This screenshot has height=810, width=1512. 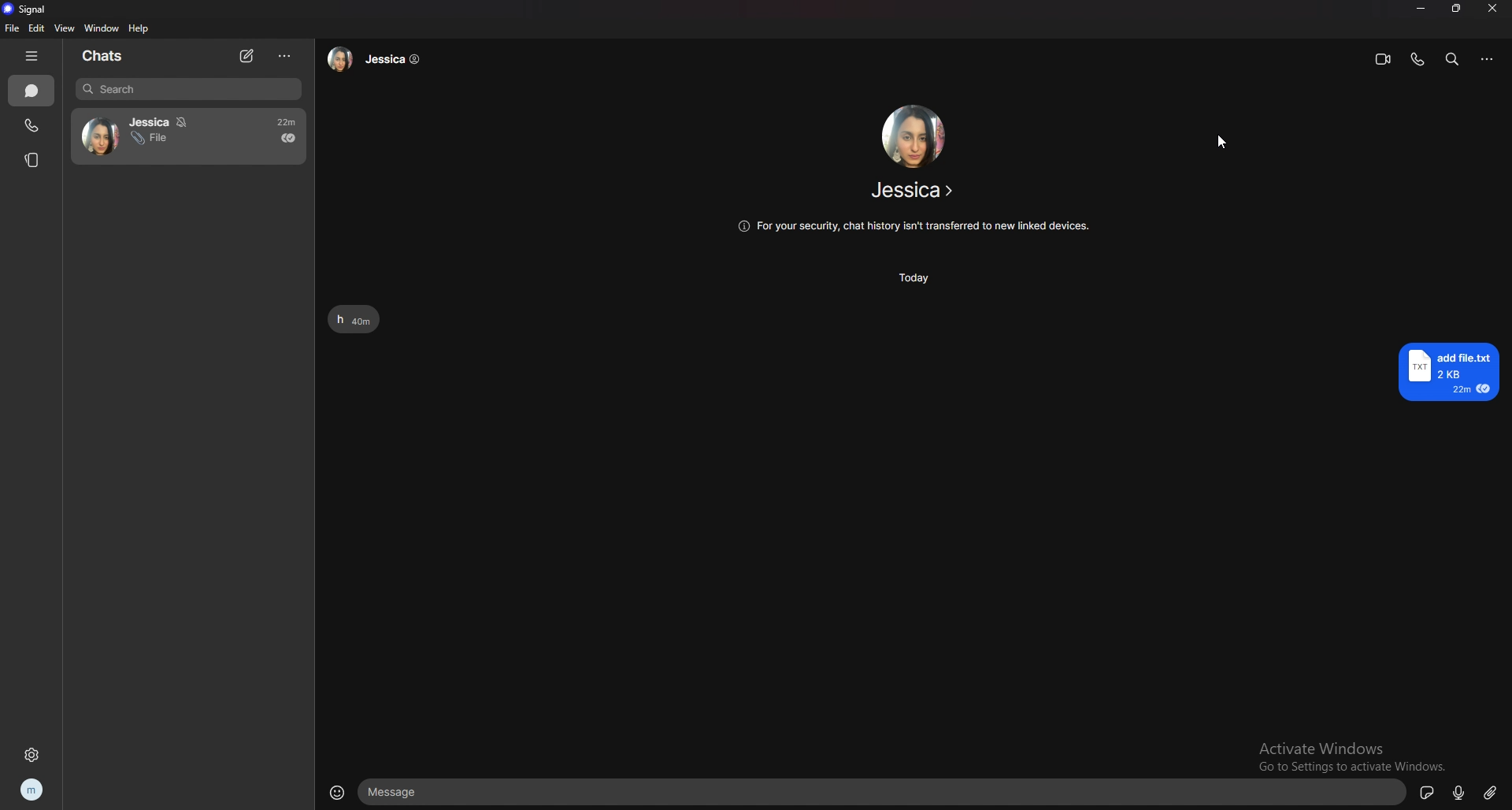 I want to click on close, so click(x=1492, y=9).